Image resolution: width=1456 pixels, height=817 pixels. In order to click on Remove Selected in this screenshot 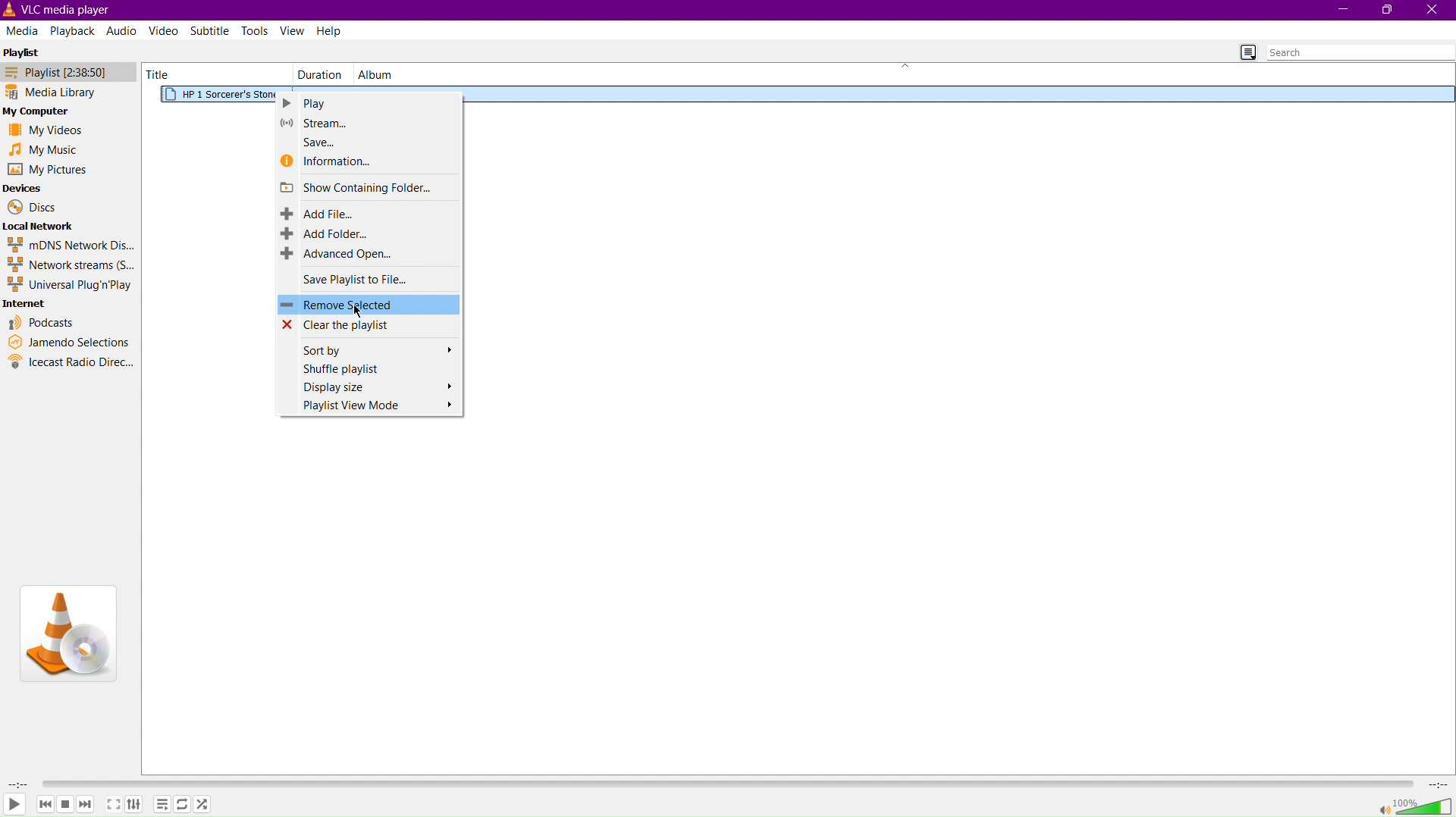, I will do `click(369, 305)`.